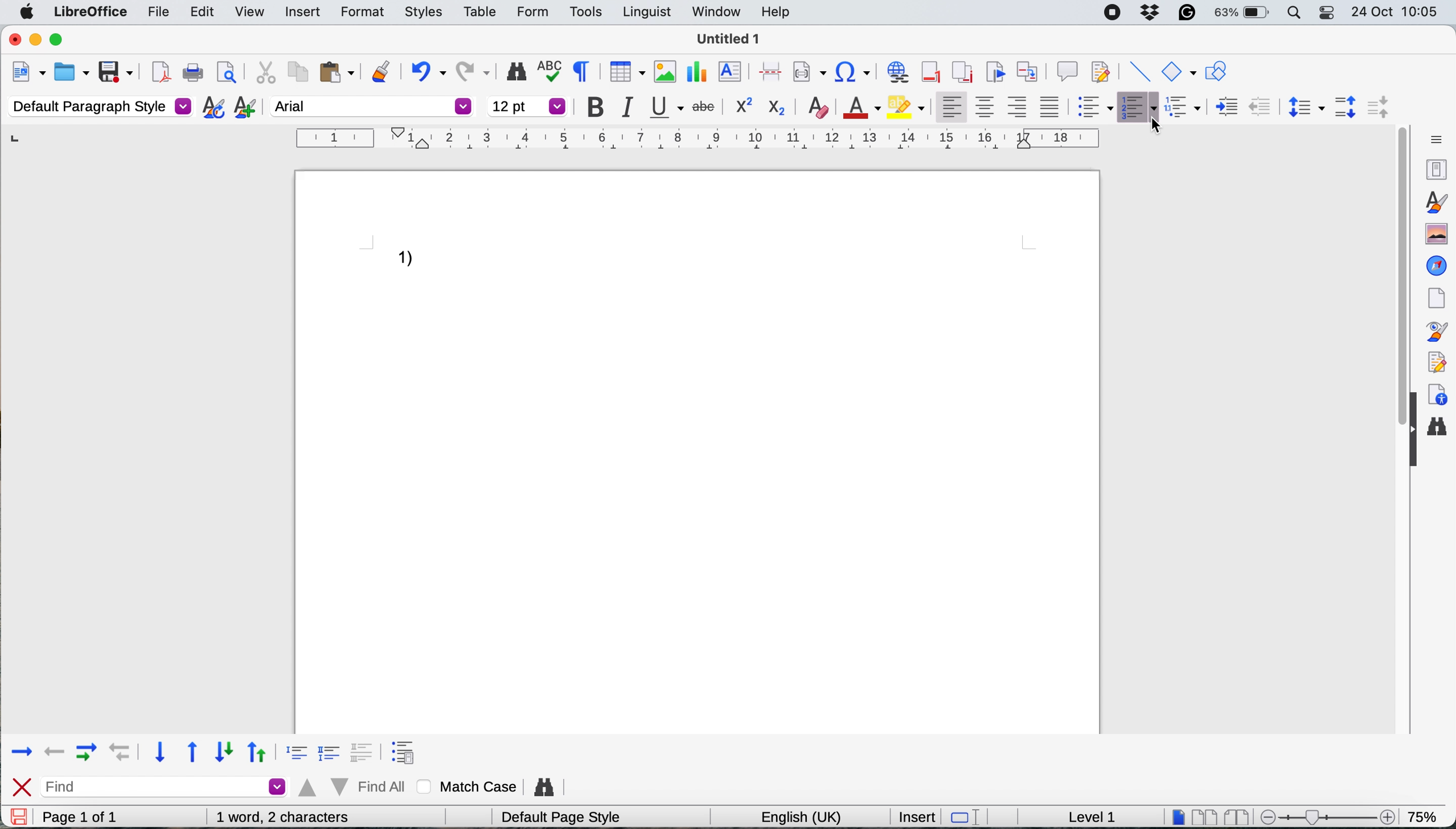  What do you see at coordinates (1093, 816) in the screenshot?
I see `level 1` at bounding box center [1093, 816].